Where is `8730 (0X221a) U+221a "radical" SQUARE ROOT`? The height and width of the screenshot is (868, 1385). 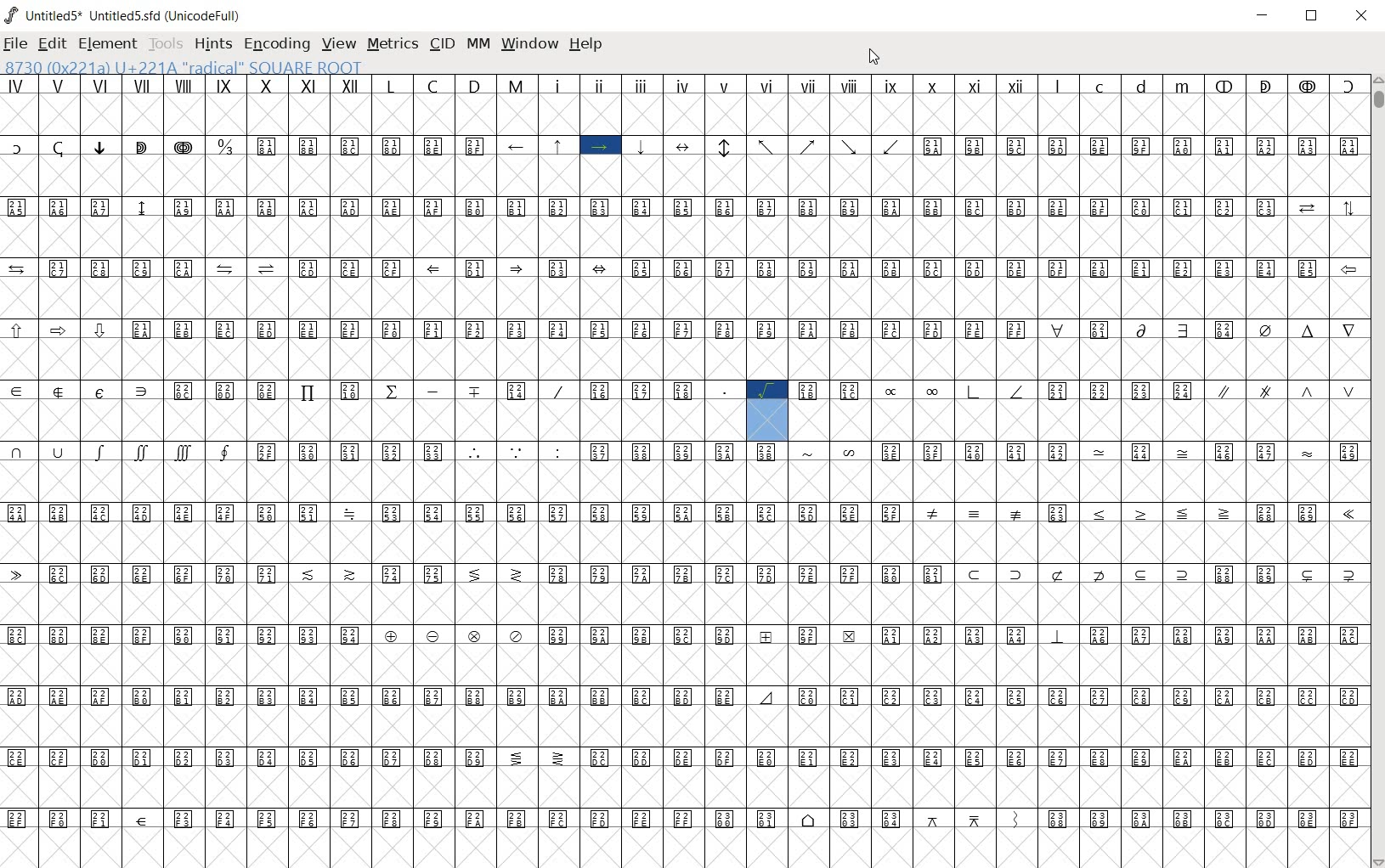 8730 (0X221a) U+221a "radical" SQUARE ROOT is located at coordinates (184, 66).